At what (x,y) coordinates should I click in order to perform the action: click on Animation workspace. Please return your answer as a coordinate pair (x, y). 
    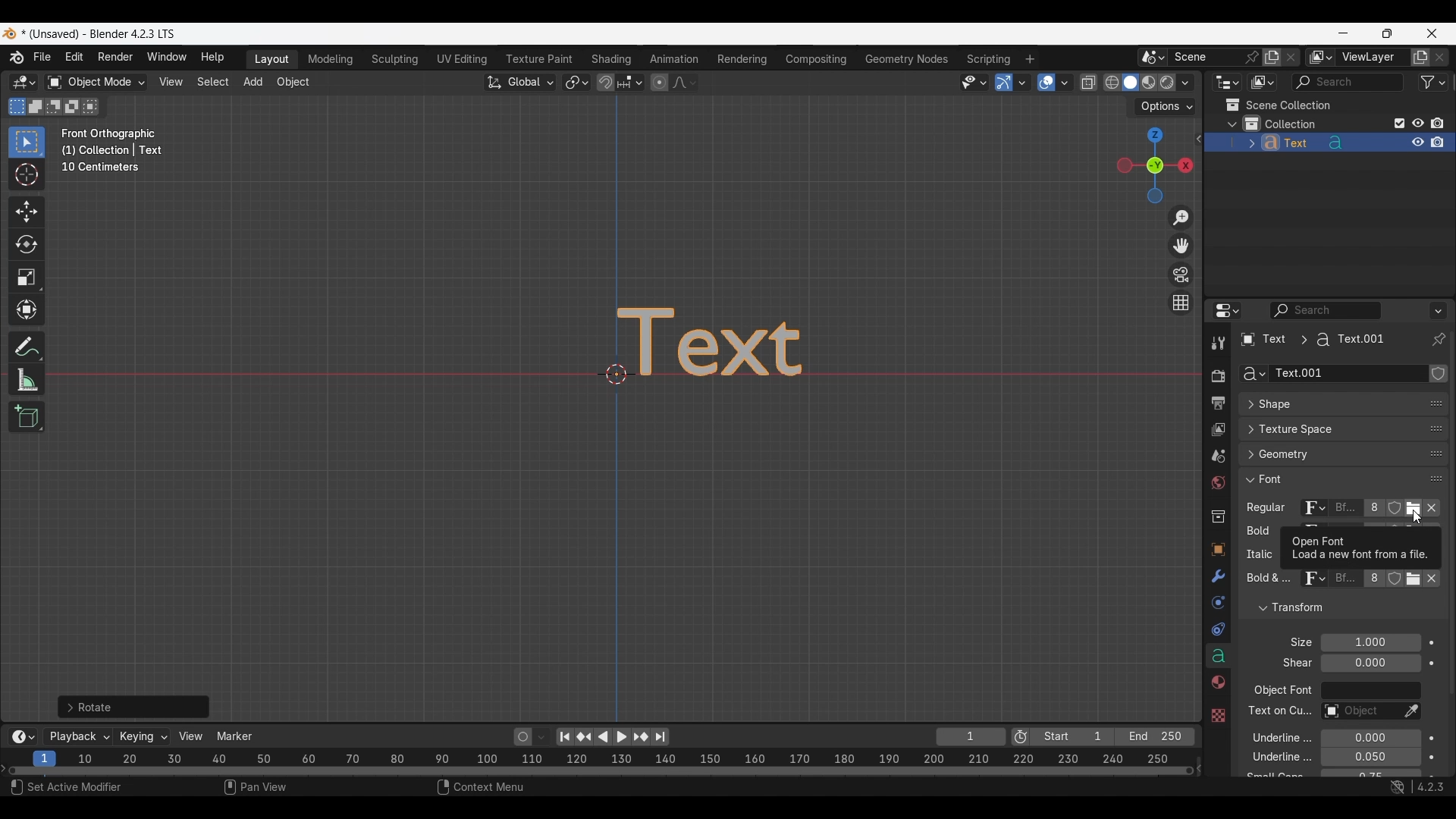
    Looking at the image, I should click on (674, 60).